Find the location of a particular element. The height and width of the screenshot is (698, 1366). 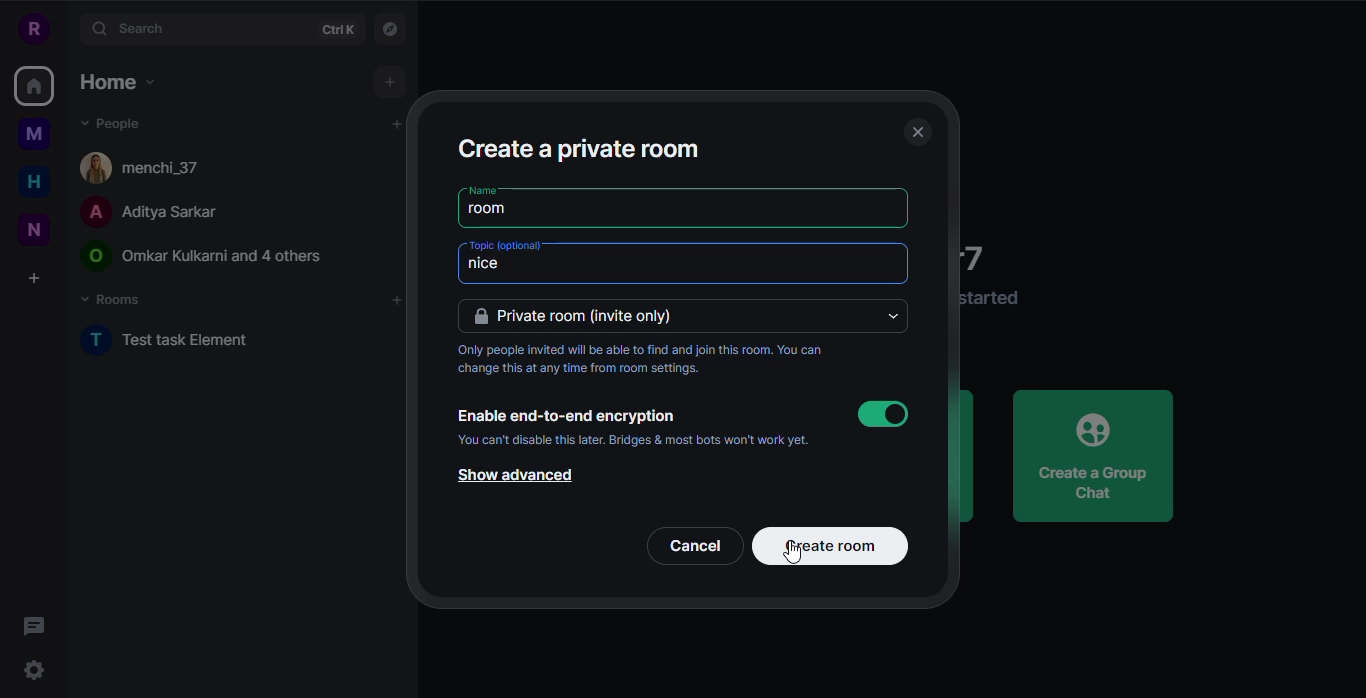

add is located at coordinates (386, 126).